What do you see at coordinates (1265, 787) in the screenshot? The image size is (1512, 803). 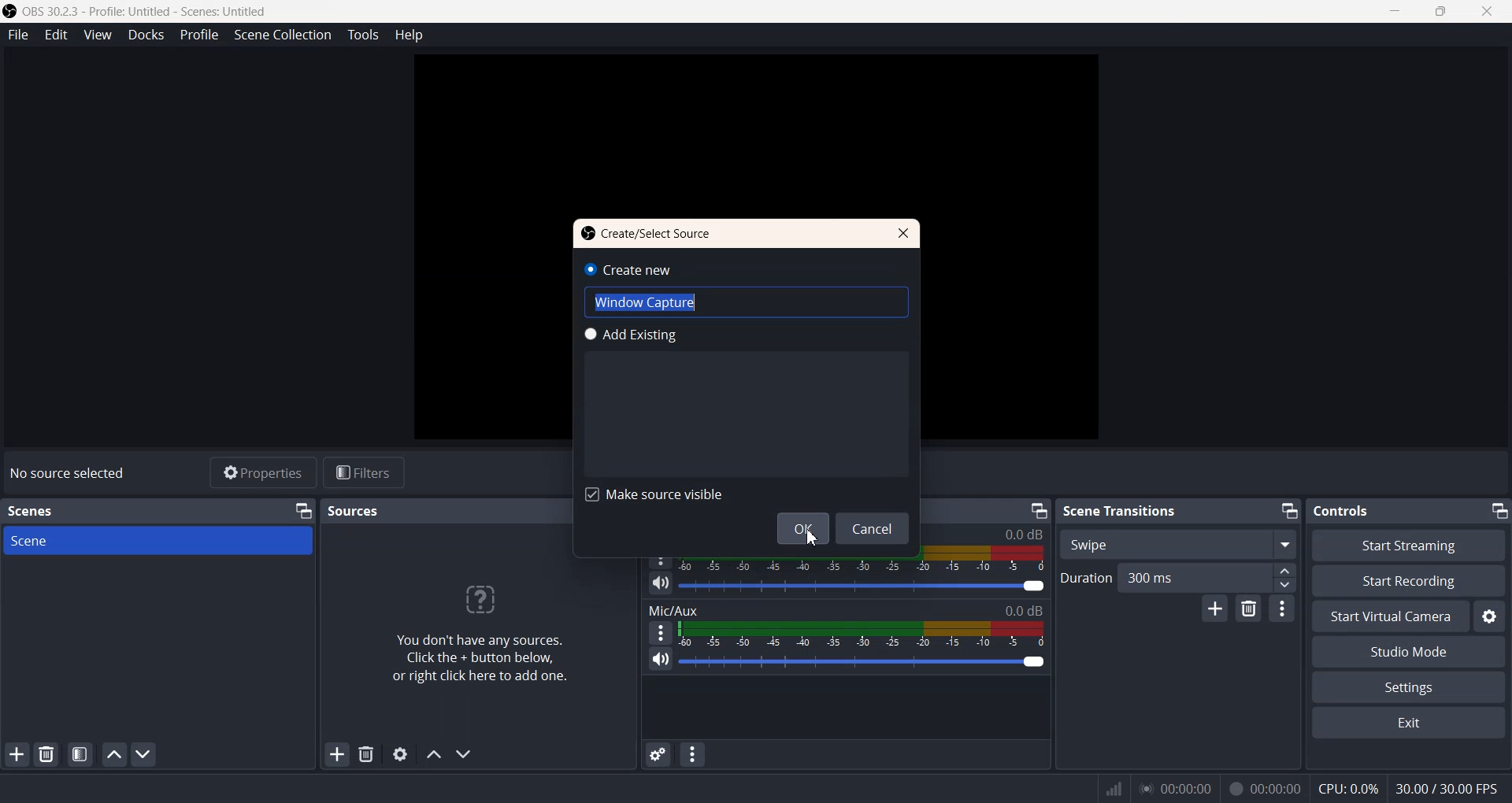 I see `00:00:00` at bounding box center [1265, 787].